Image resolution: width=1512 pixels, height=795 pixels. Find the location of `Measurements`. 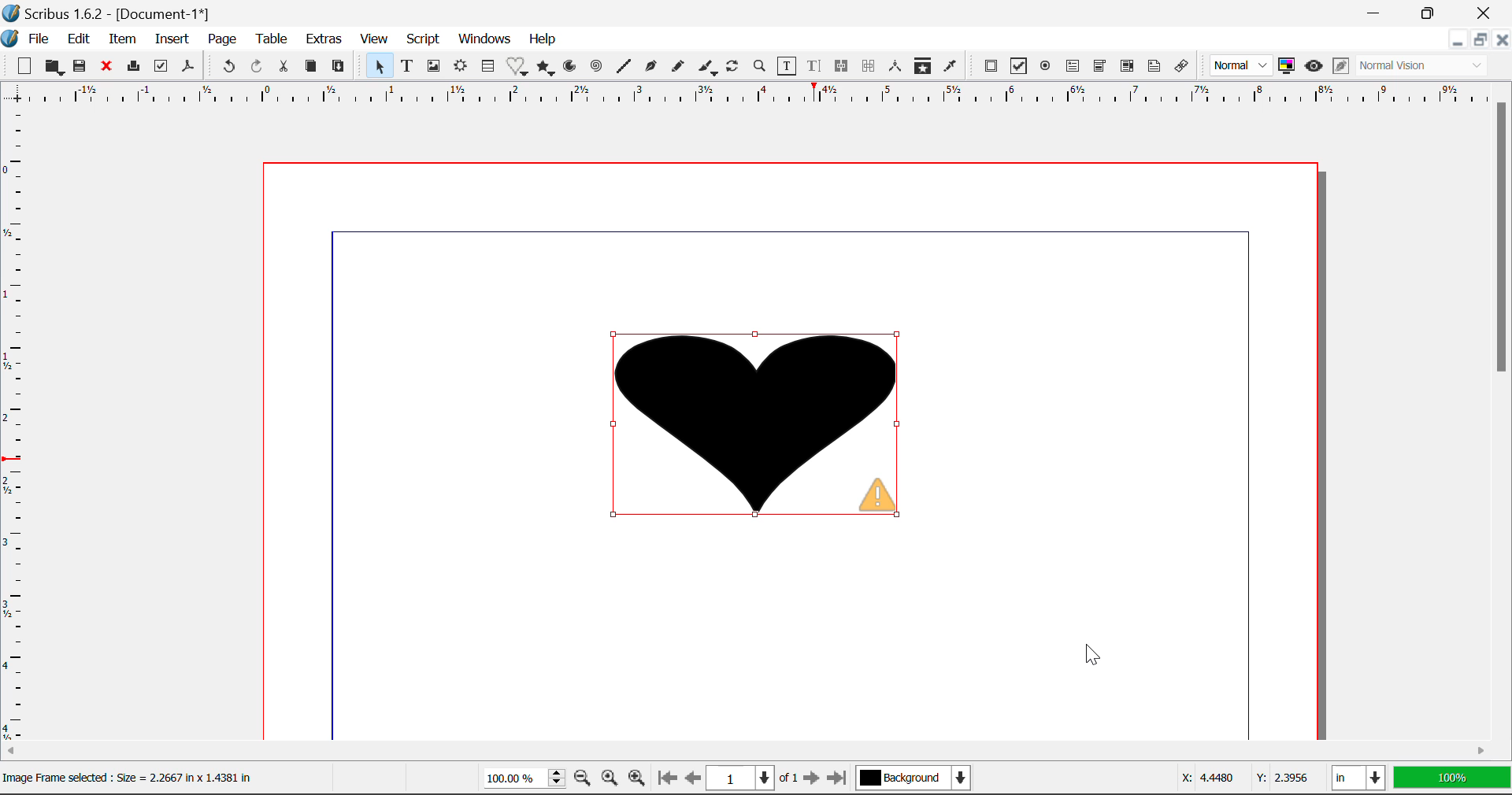

Measurements is located at coordinates (897, 67).